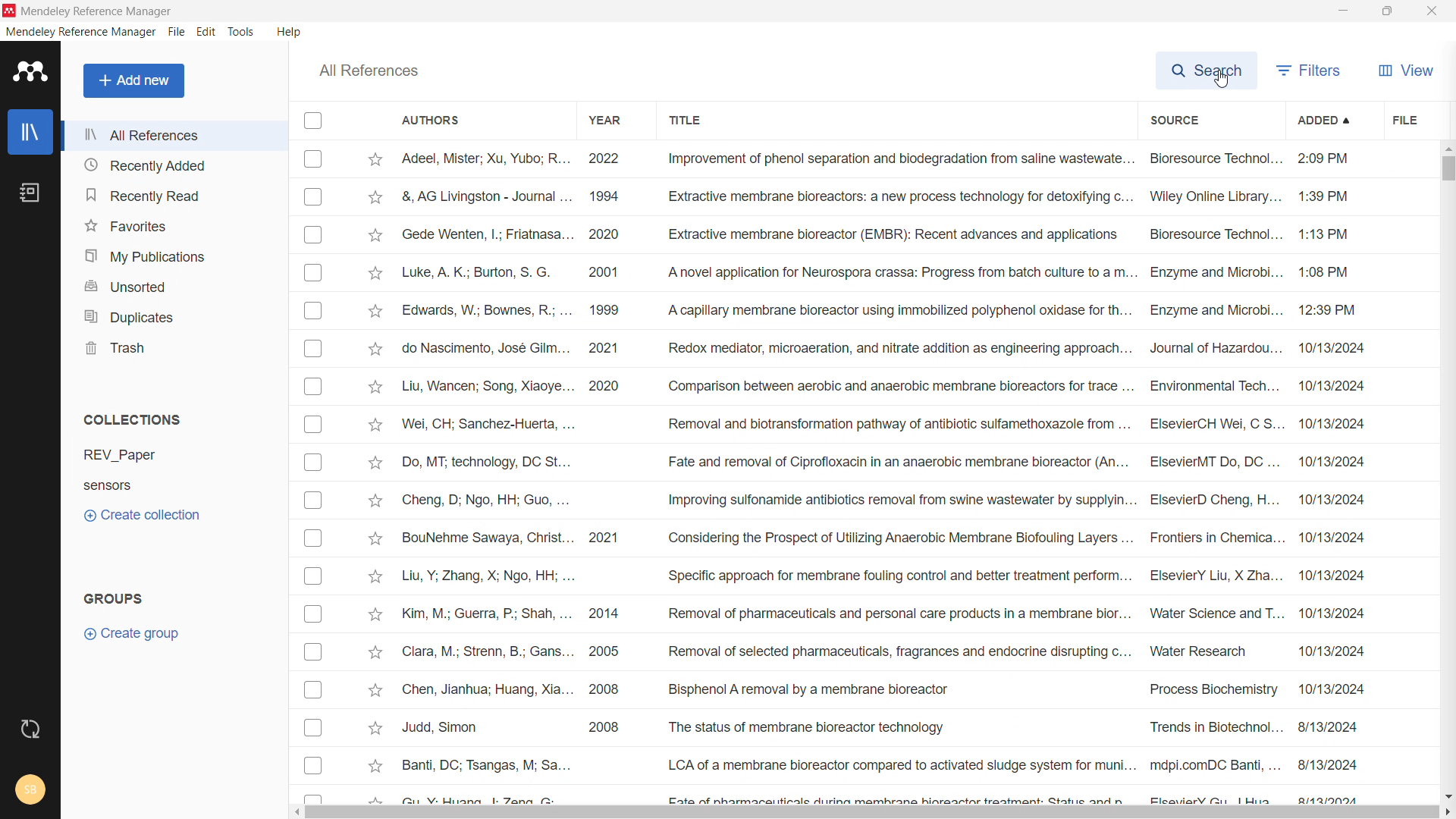 This screenshot has height=819, width=1456. I want to click on add new, so click(133, 81).